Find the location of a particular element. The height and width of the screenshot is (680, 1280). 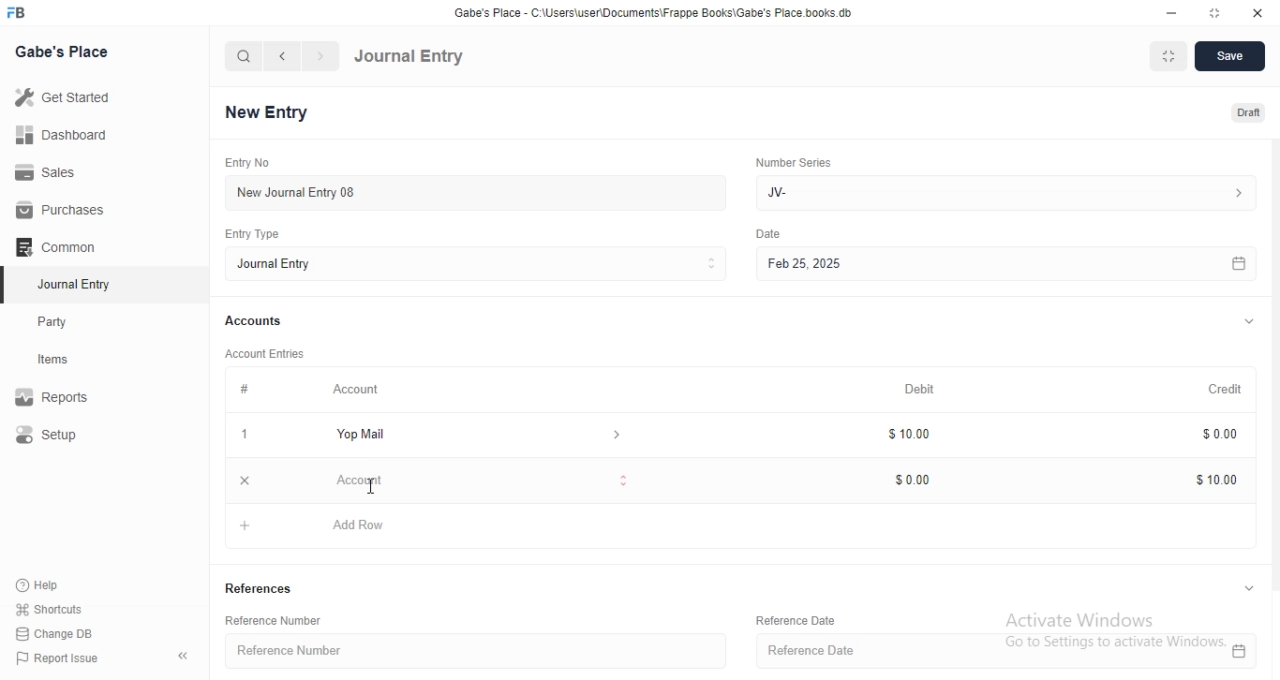

close is located at coordinates (246, 480).